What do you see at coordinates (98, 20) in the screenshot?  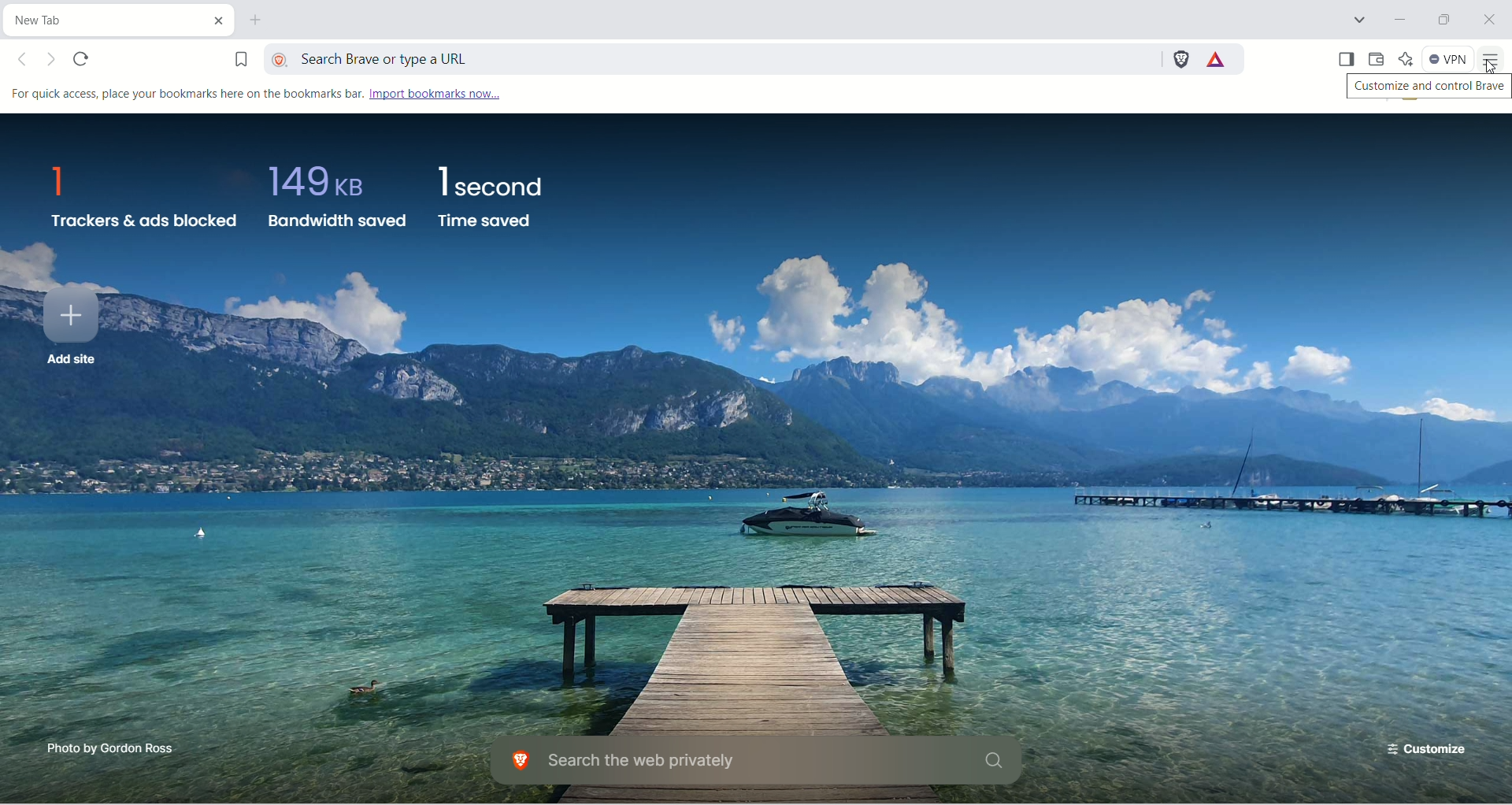 I see `current tab` at bounding box center [98, 20].